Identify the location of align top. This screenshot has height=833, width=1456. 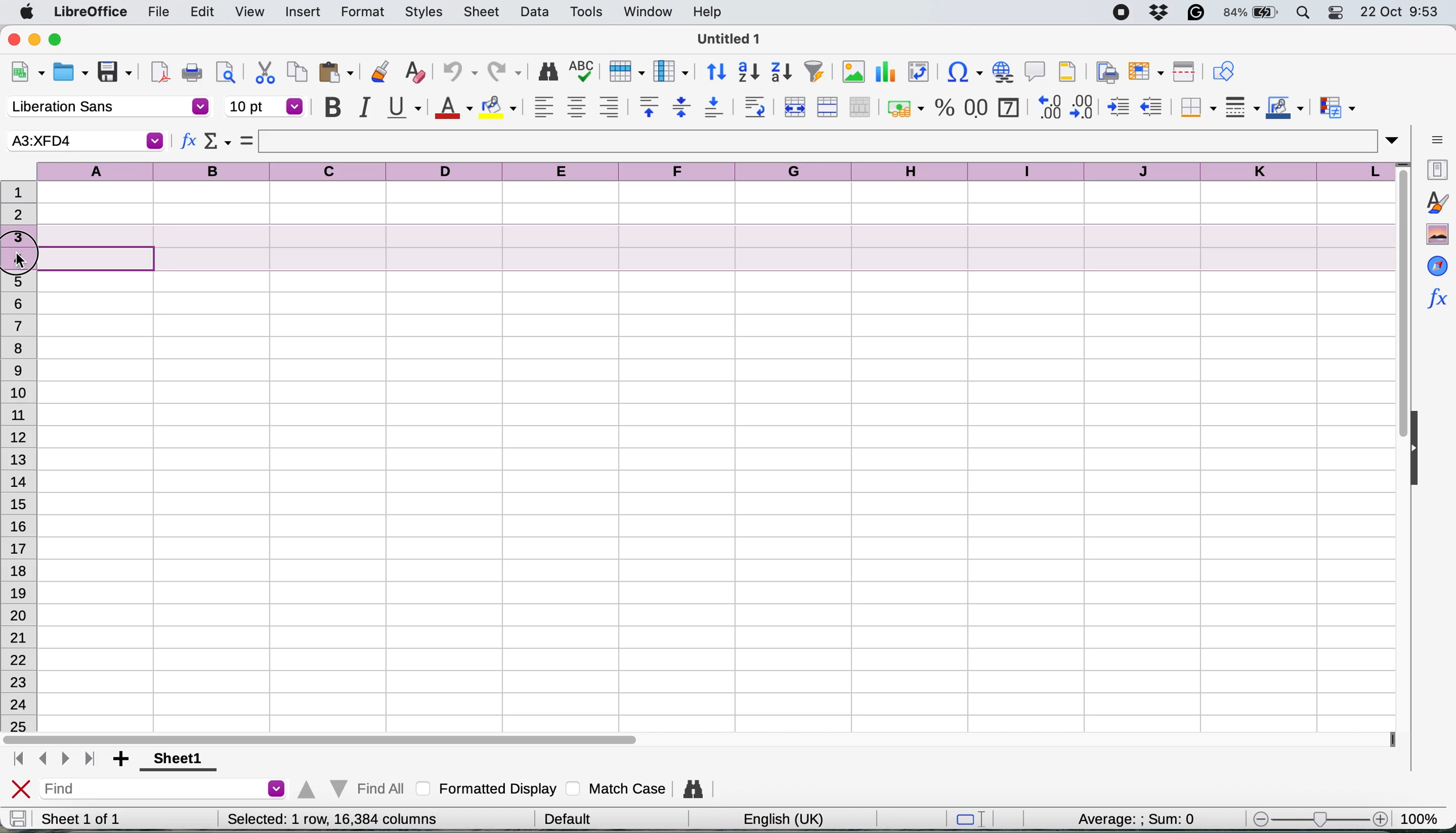
(649, 106).